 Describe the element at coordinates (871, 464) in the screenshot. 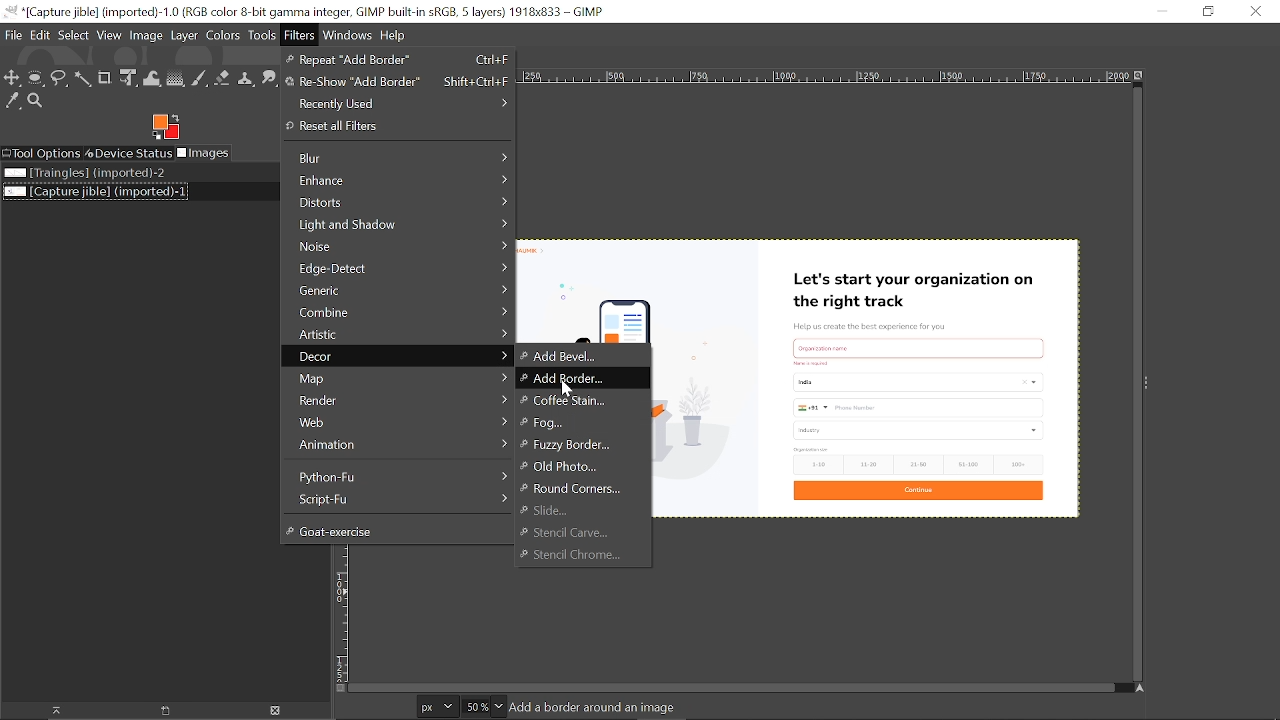

I see `11-20` at that location.